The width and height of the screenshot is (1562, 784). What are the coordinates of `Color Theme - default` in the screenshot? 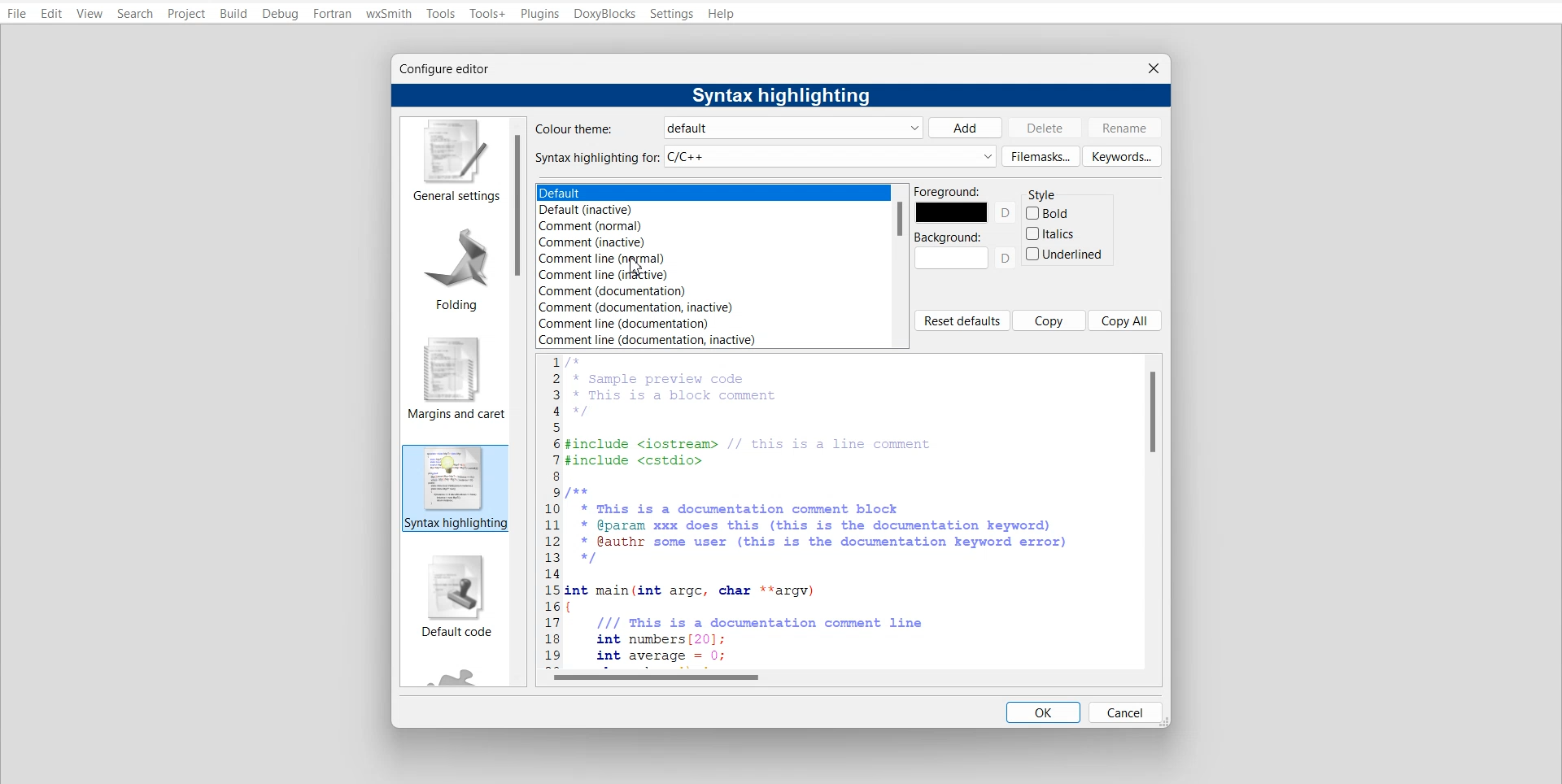 It's located at (728, 128).